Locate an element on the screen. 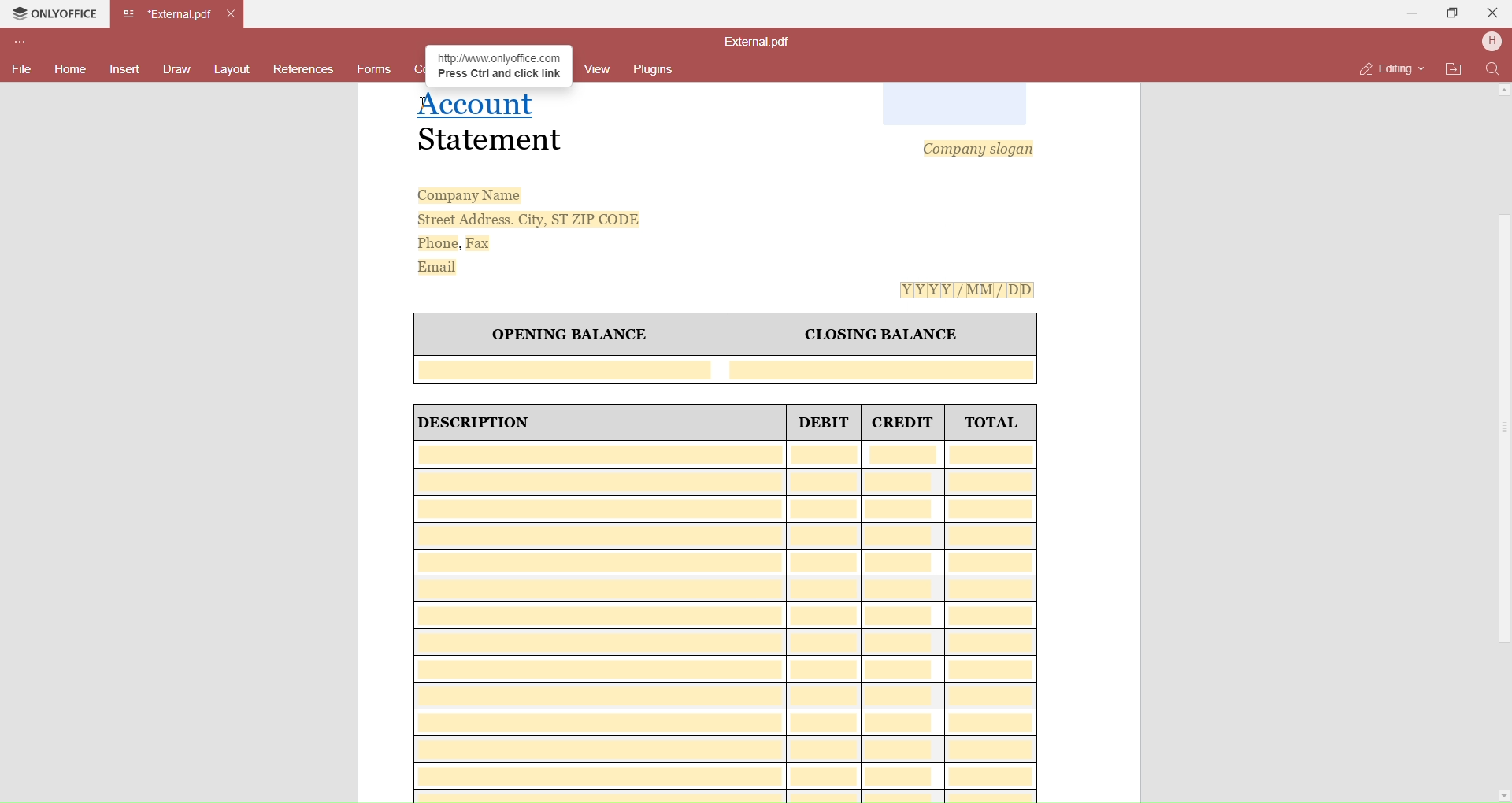  Company Name is located at coordinates (470, 195).